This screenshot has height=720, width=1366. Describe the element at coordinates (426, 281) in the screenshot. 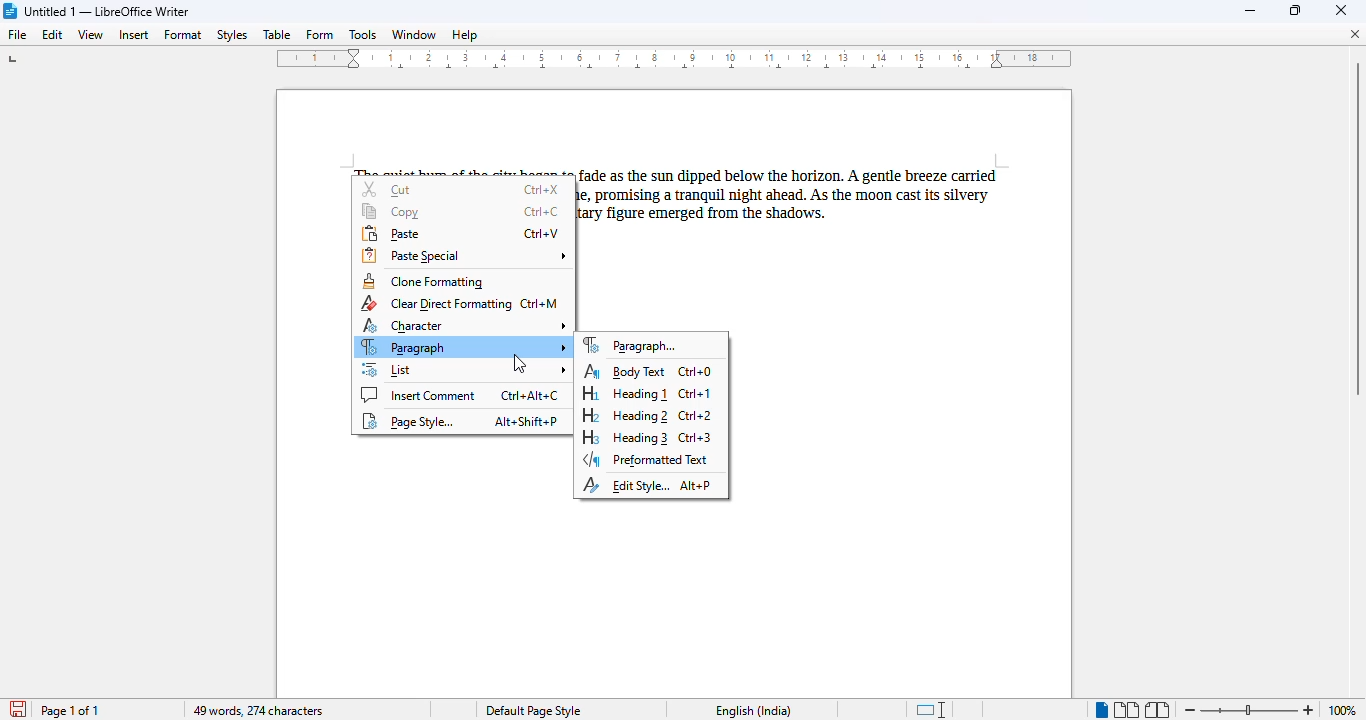

I see `clone formatting` at that location.